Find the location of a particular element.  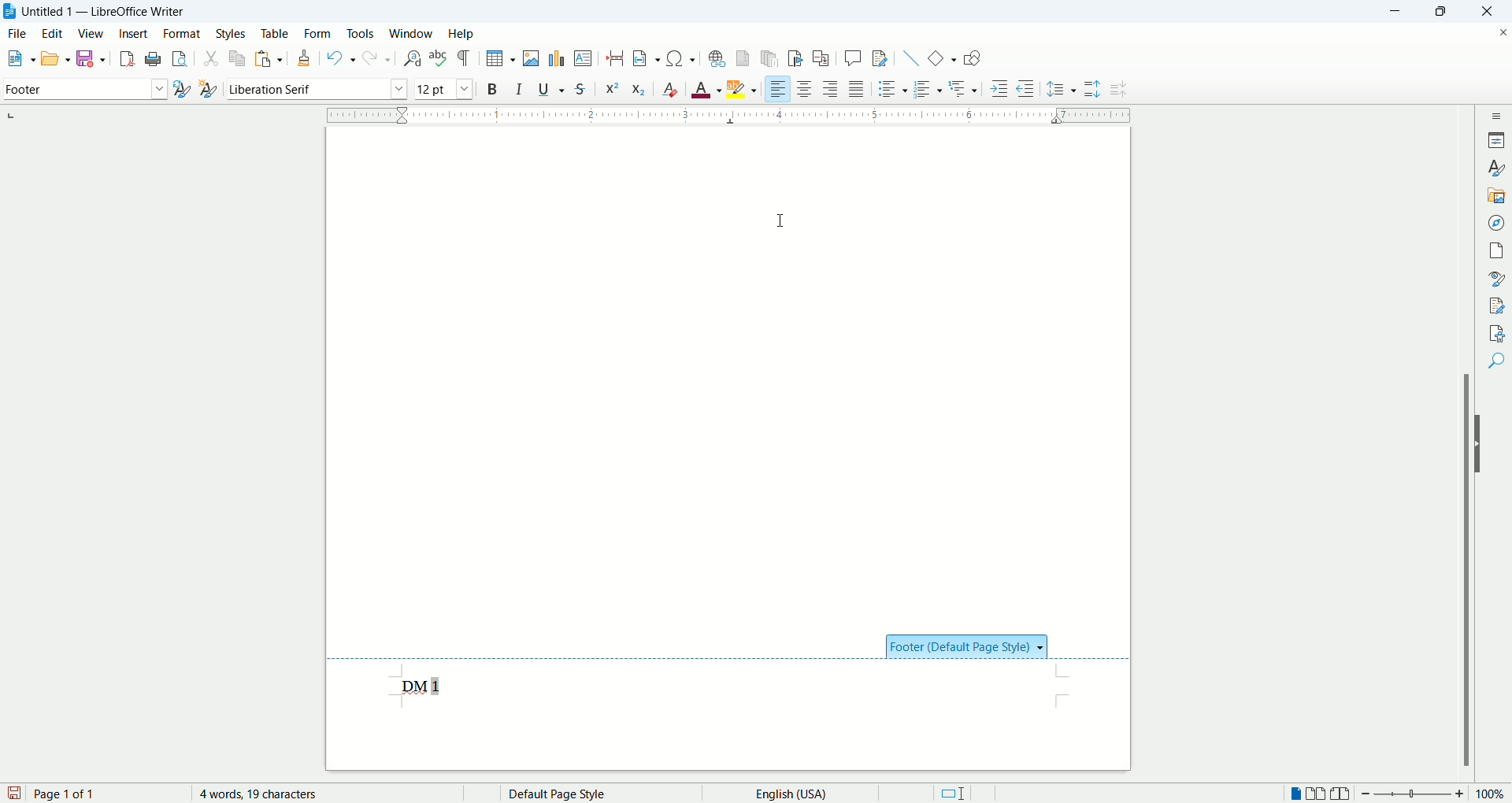

update style is located at coordinates (181, 90).